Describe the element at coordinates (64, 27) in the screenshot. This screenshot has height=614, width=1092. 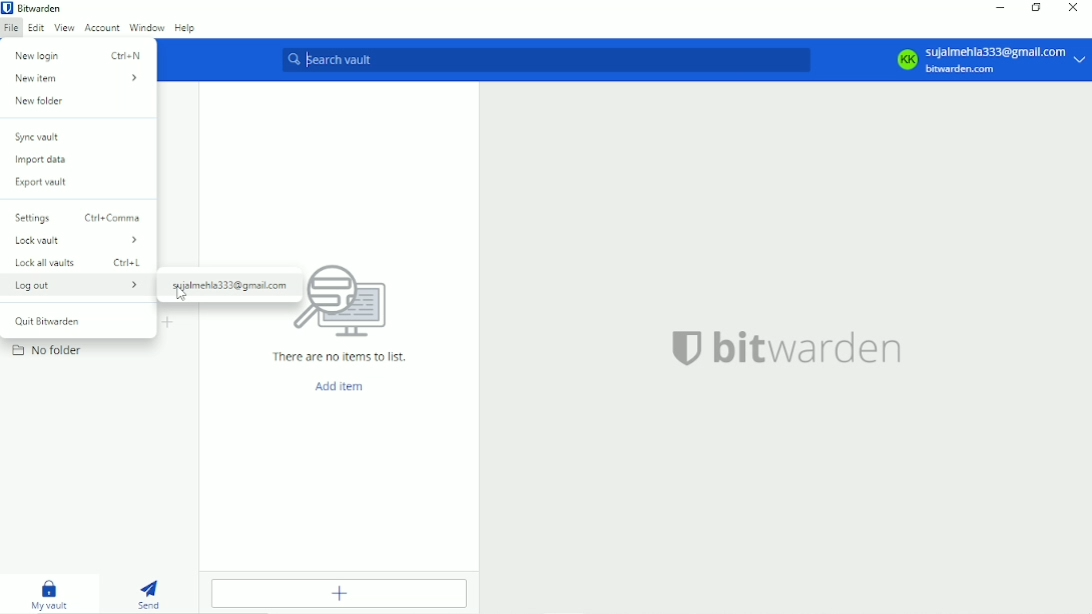
I see `View` at that location.